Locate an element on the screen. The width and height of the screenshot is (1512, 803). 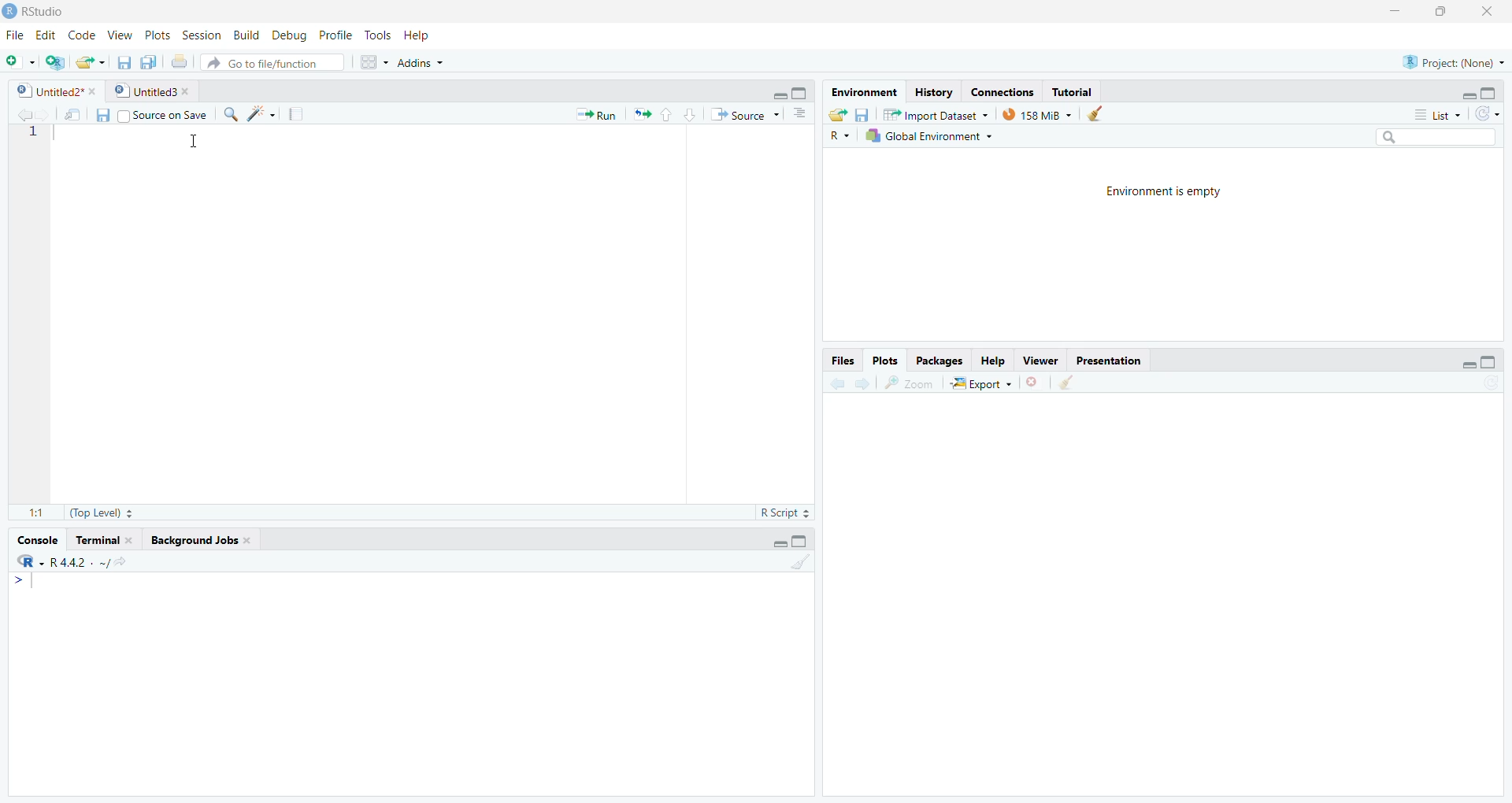
Print the current file is located at coordinates (178, 58).